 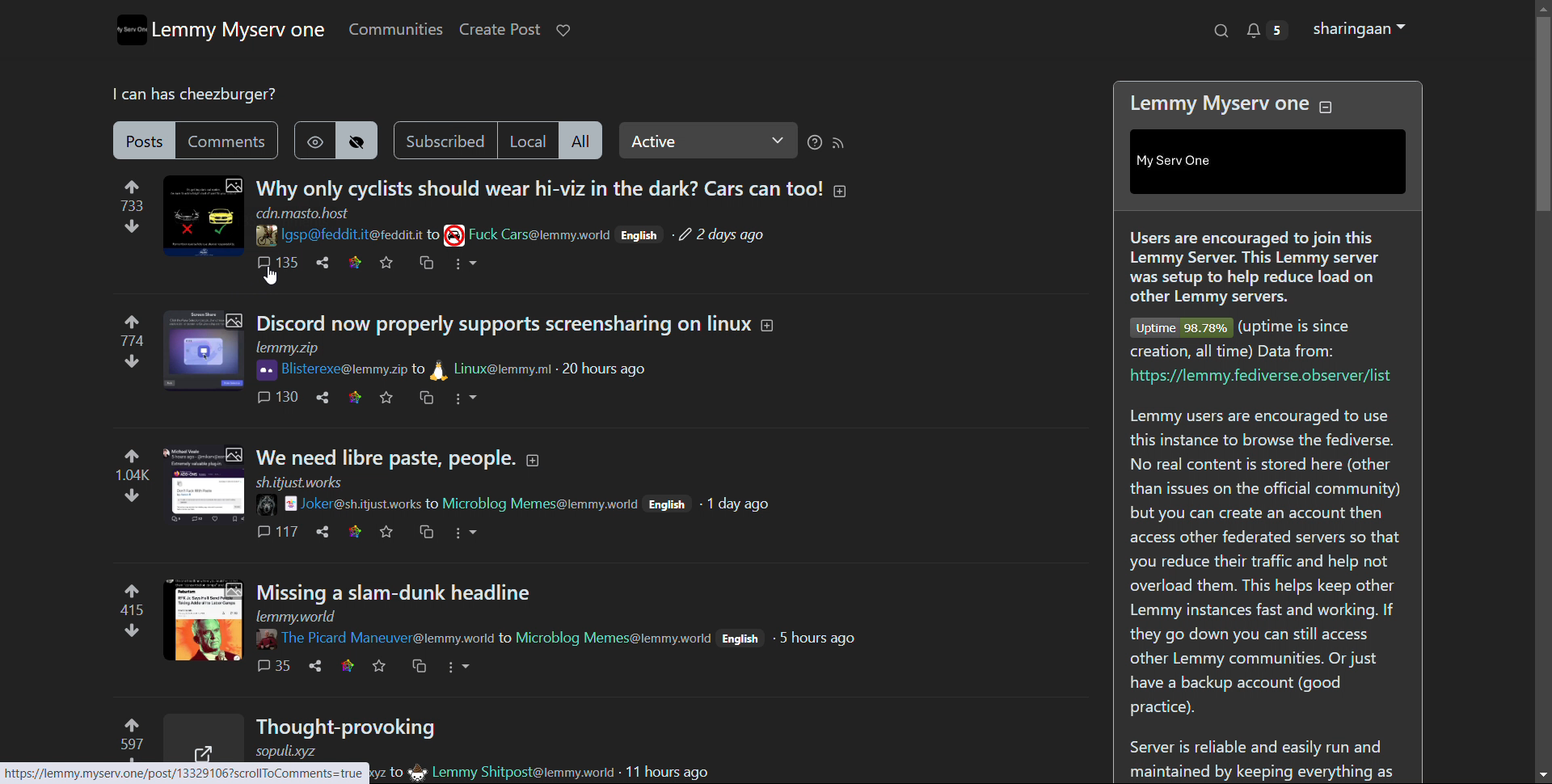 What do you see at coordinates (427, 398) in the screenshot?
I see `crosspost` at bounding box center [427, 398].